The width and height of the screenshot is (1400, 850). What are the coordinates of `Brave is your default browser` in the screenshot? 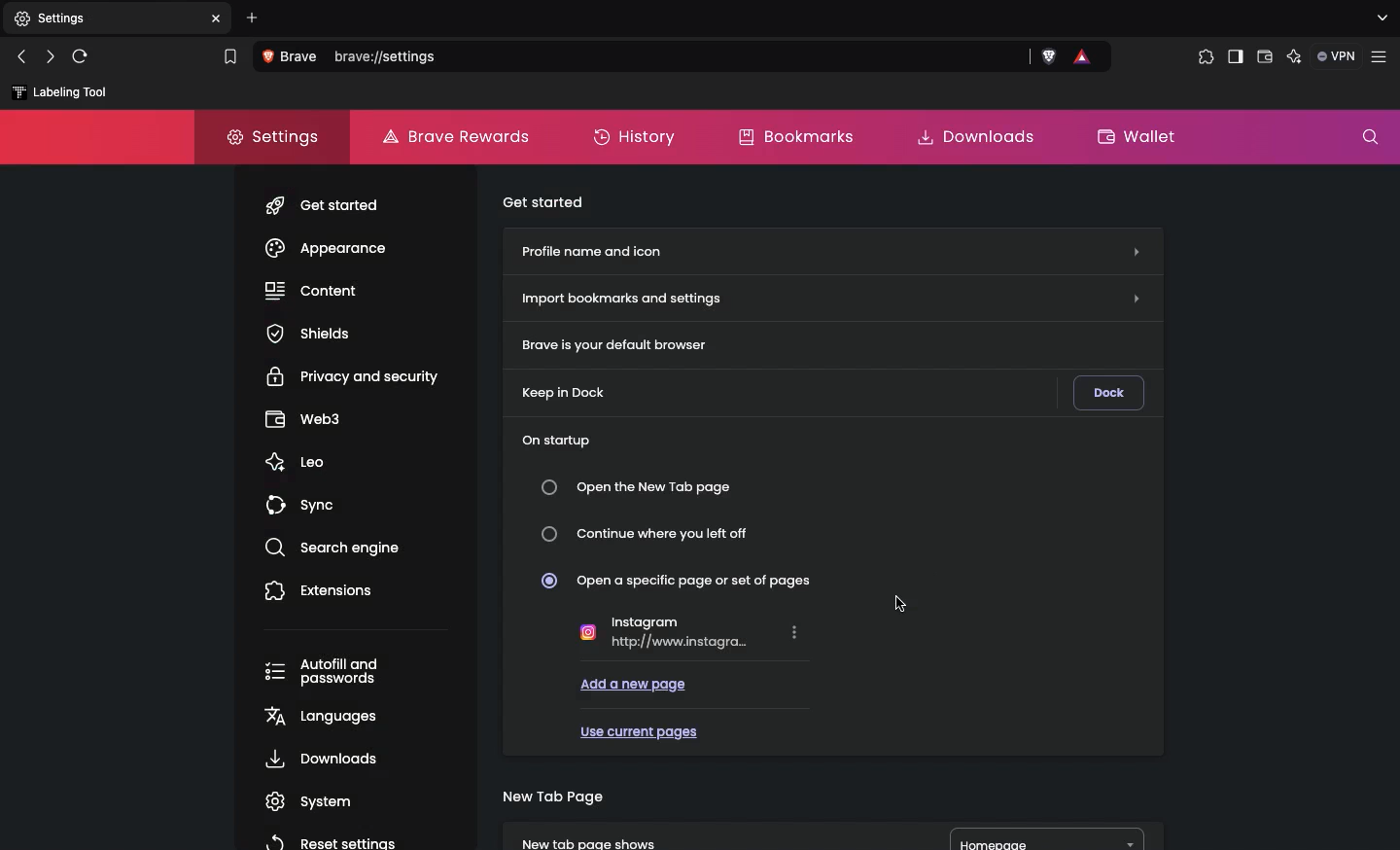 It's located at (607, 343).